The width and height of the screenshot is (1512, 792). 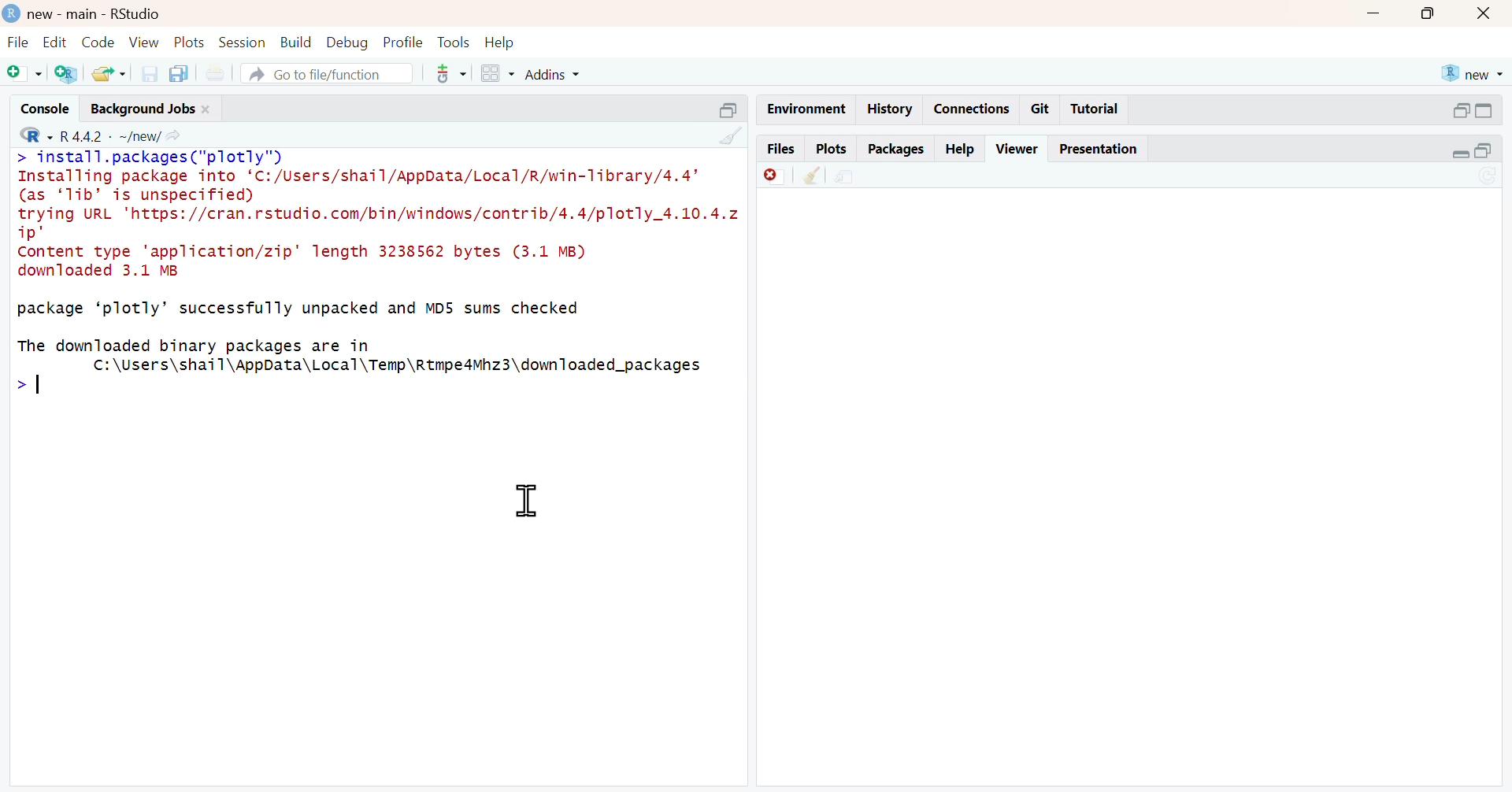 I want to click on clear all viewer items, so click(x=812, y=176).